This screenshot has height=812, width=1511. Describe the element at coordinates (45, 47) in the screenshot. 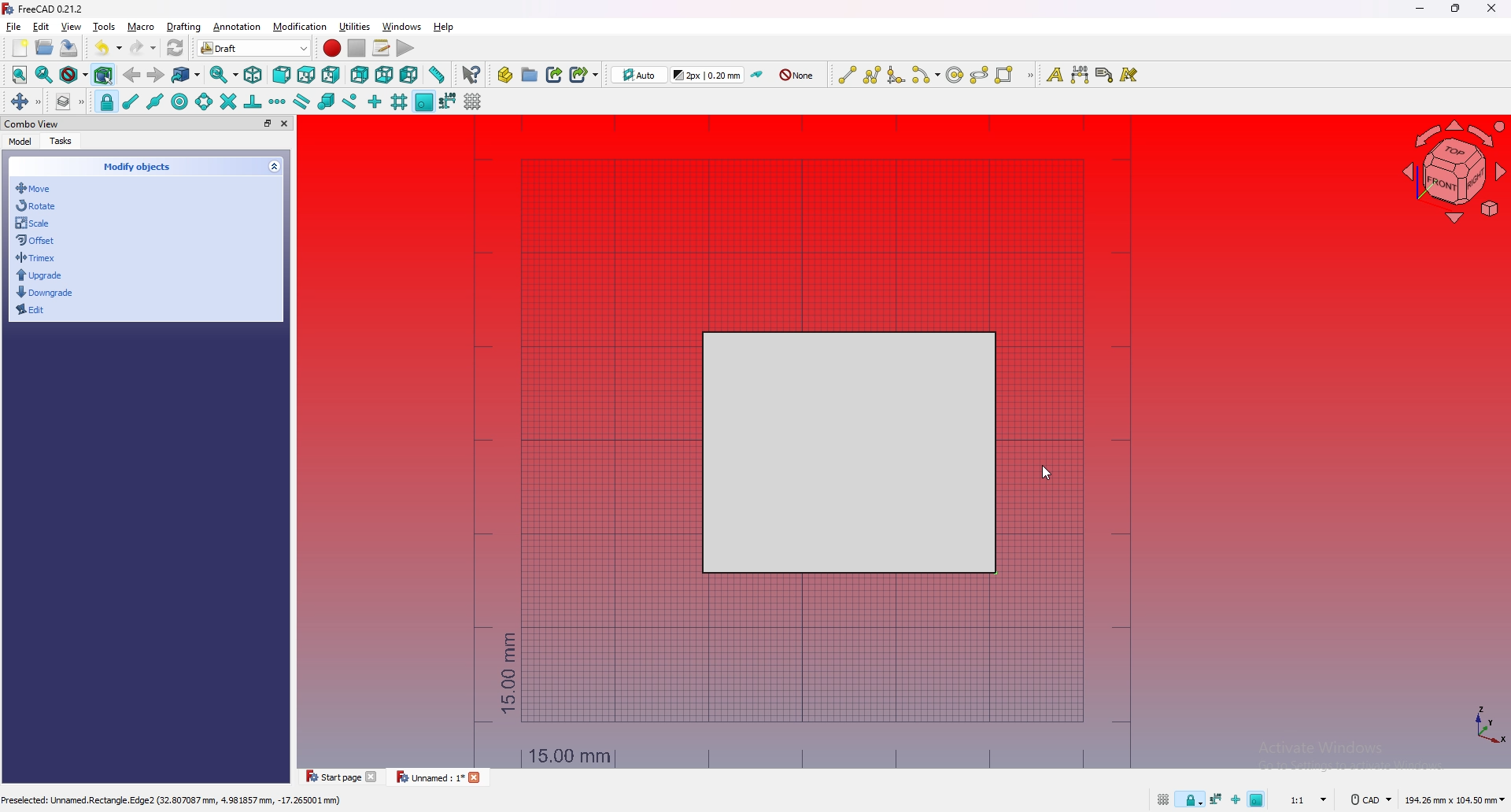

I see `open` at that location.